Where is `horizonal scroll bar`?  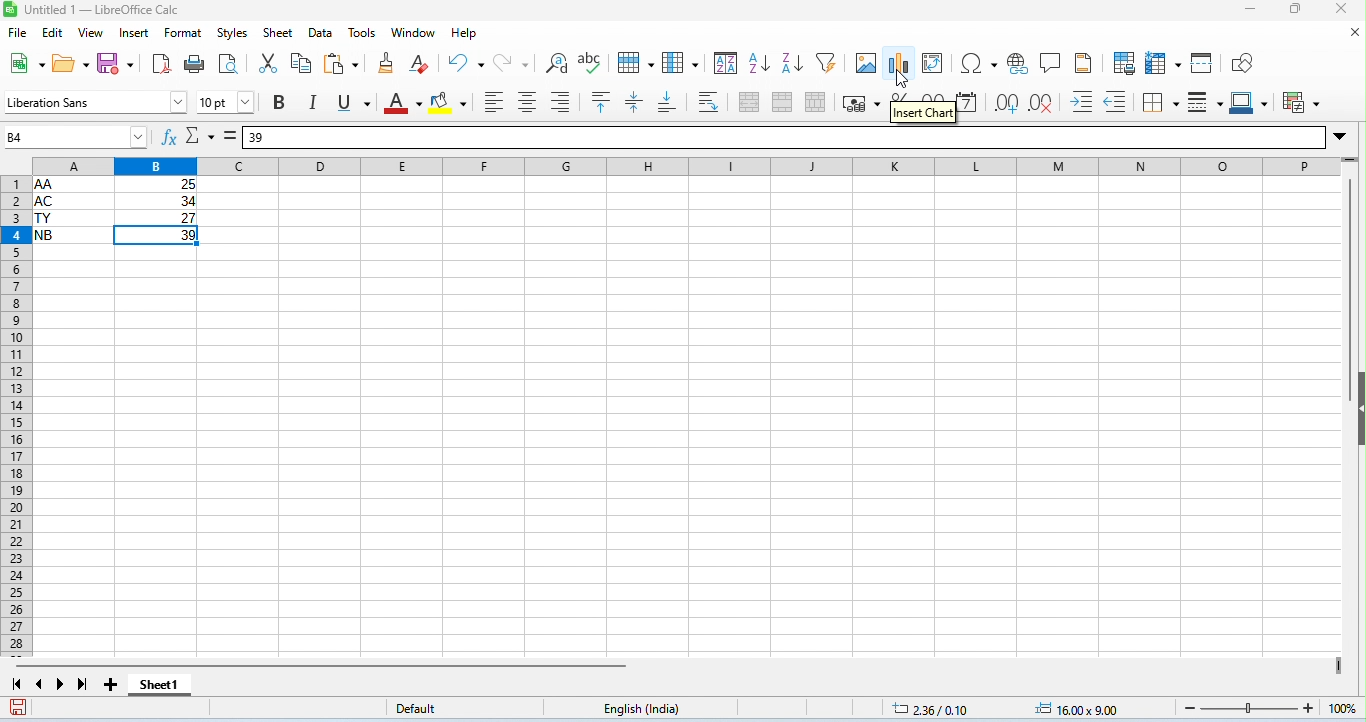
horizonal scroll bar is located at coordinates (334, 667).